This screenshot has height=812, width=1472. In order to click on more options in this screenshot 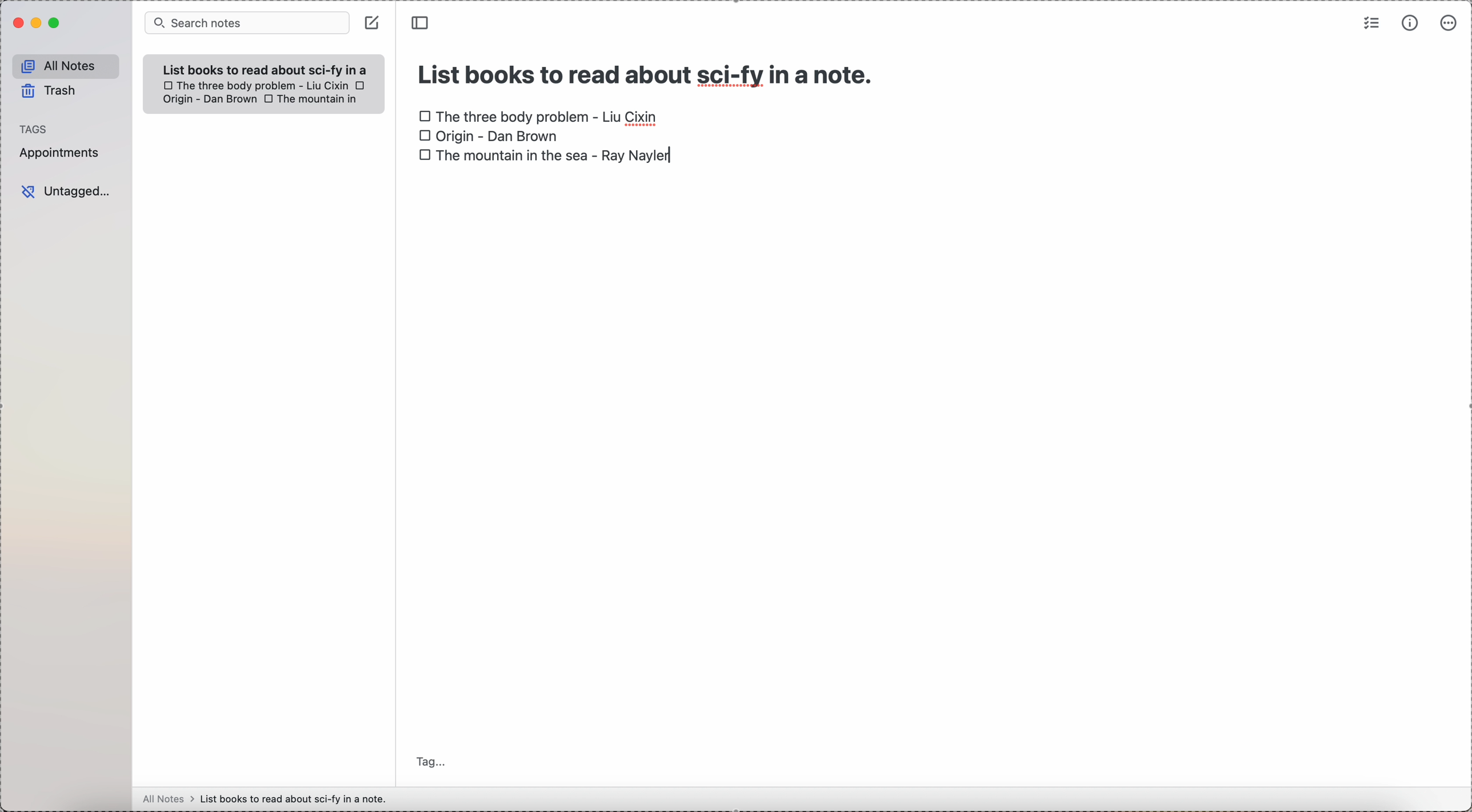, I will do `click(1447, 24)`.